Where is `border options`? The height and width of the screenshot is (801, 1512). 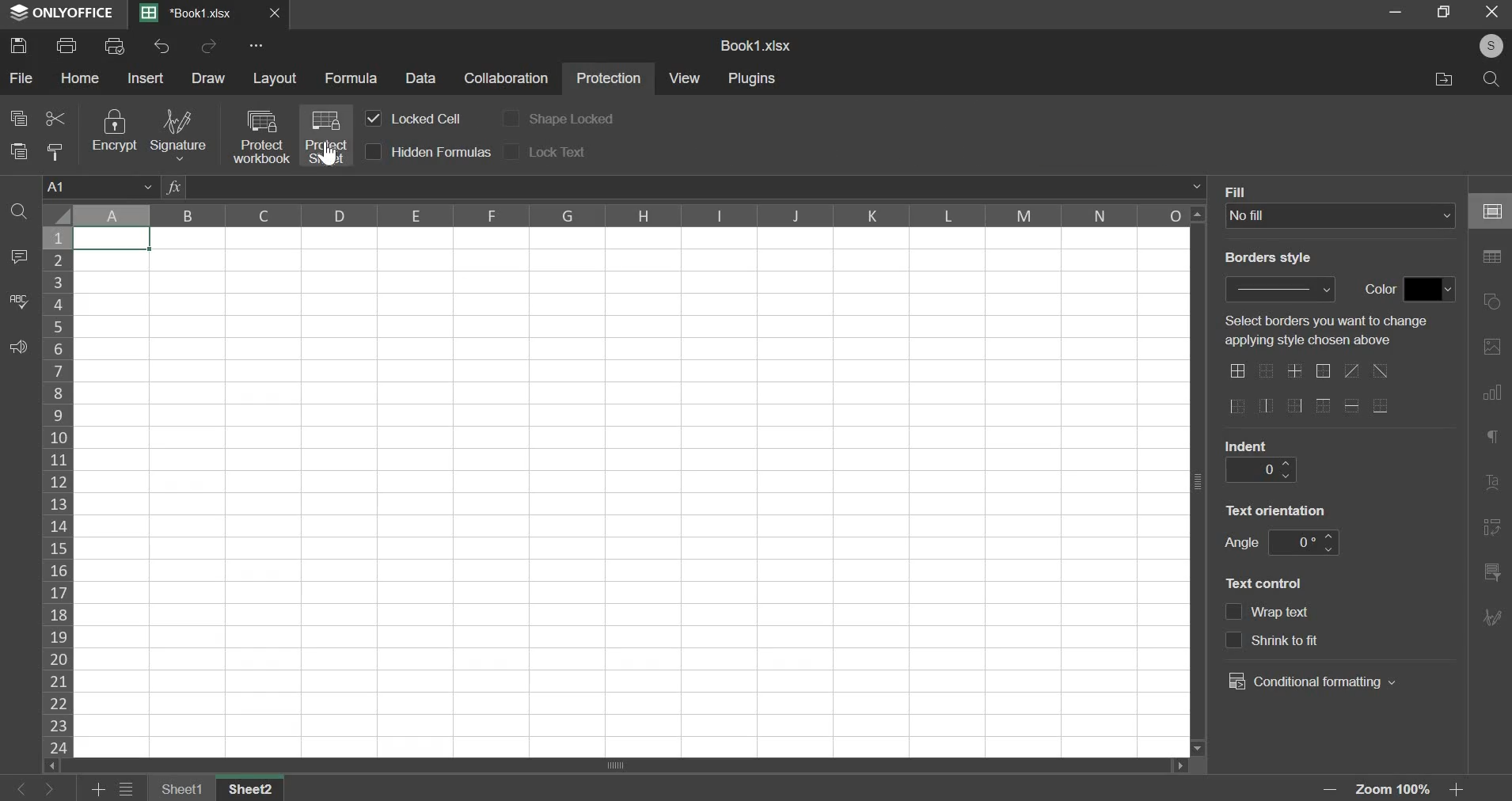 border options is located at coordinates (1382, 371).